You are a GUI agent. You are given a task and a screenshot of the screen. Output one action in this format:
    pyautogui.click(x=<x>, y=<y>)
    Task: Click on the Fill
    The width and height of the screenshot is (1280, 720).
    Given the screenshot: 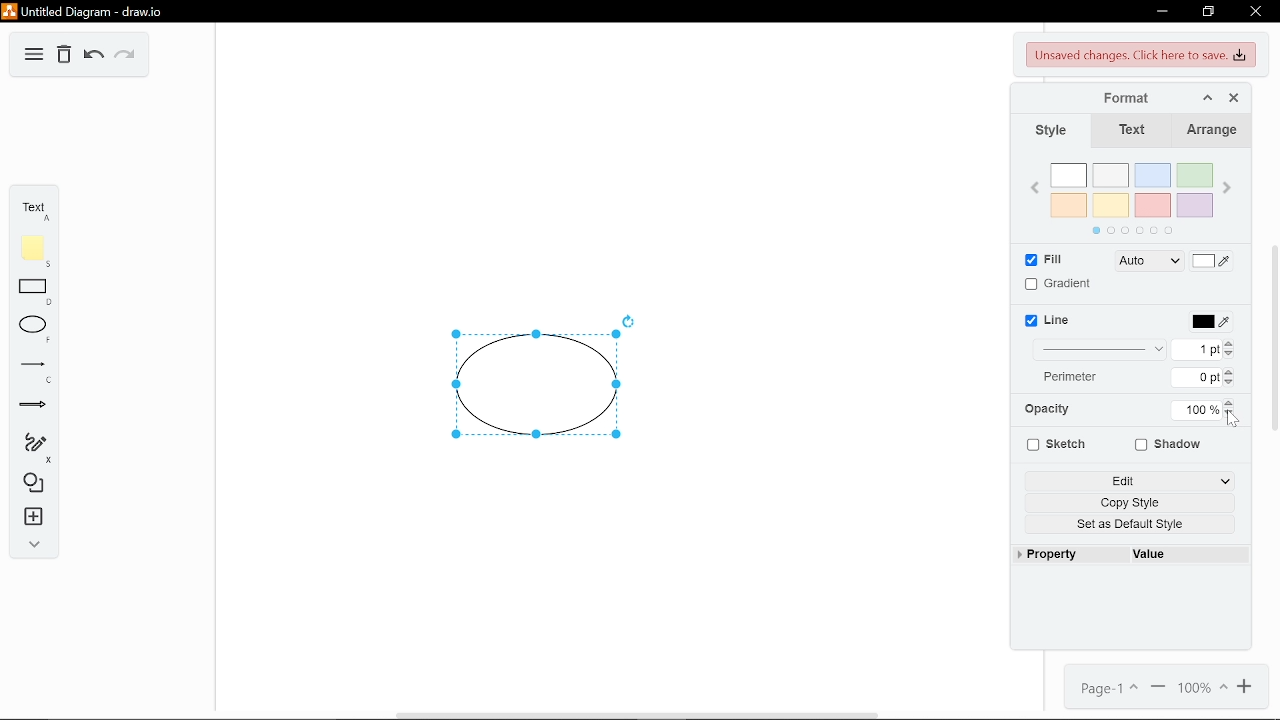 What is the action you would take?
    pyautogui.click(x=1044, y=260)
    